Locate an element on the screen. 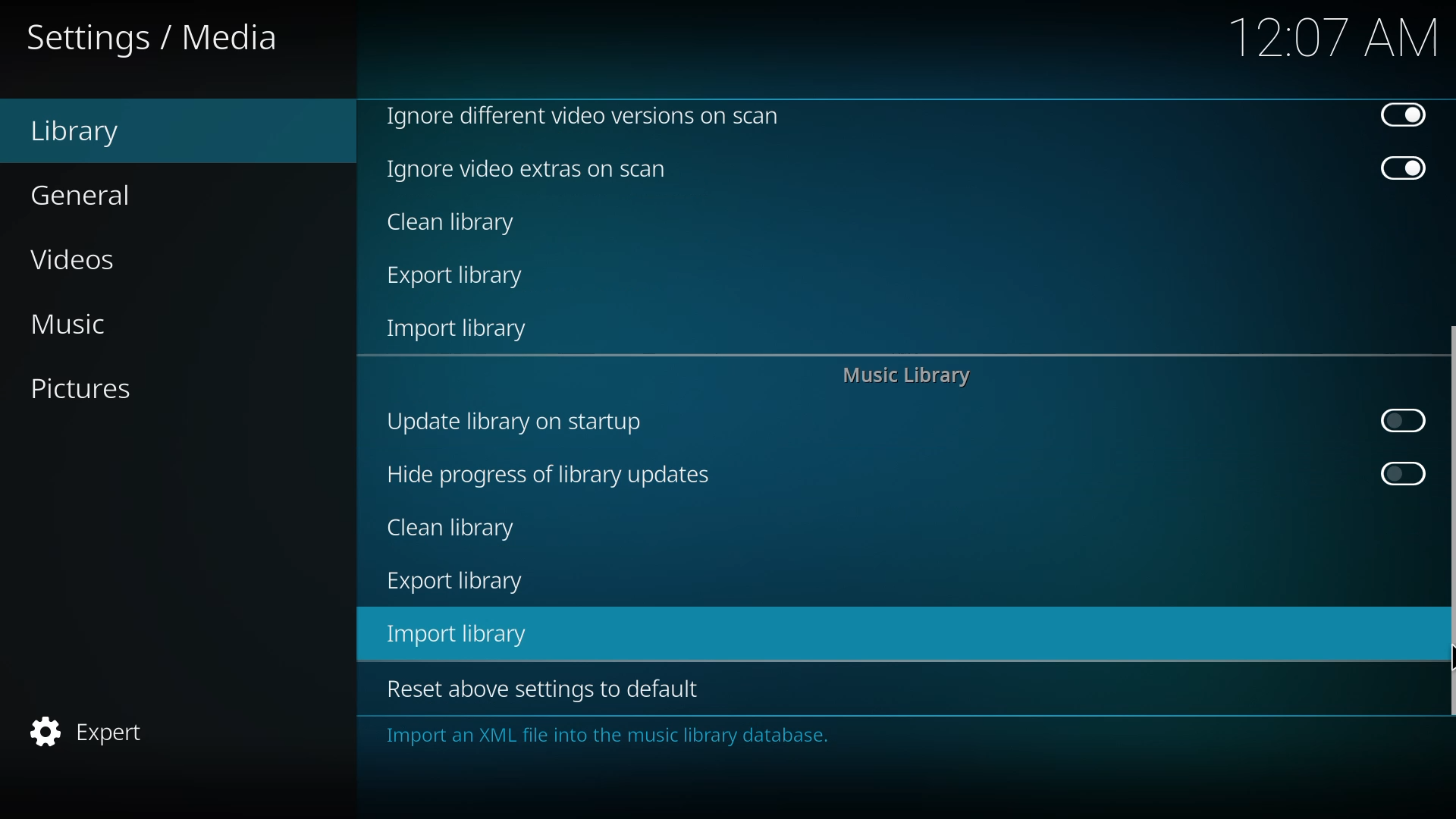 Image resolution: width=1456 pixels, height=819 pixels. library is located at coordinates (75, 133).